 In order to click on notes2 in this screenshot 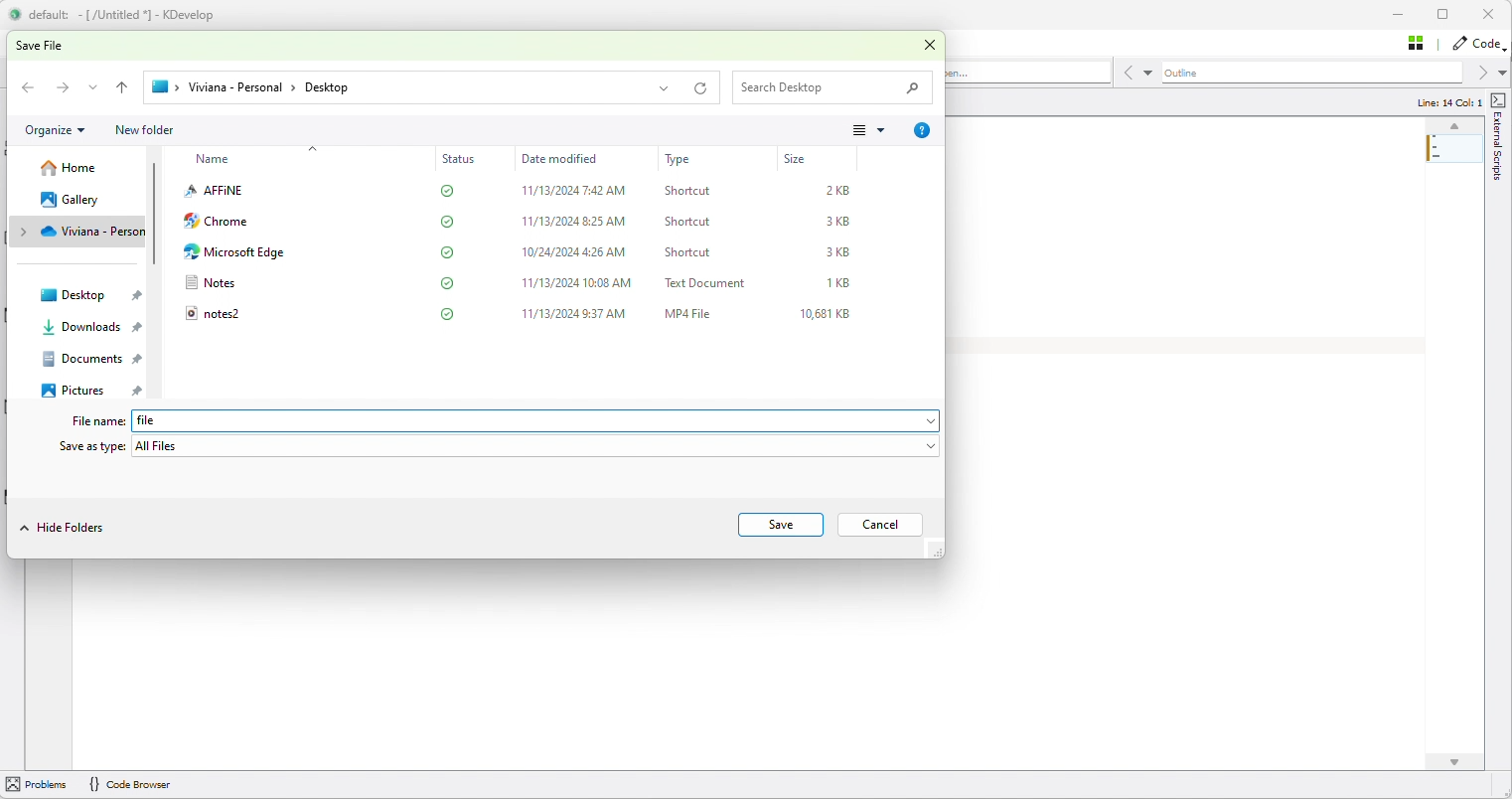, I will do `click(211, 312)`.